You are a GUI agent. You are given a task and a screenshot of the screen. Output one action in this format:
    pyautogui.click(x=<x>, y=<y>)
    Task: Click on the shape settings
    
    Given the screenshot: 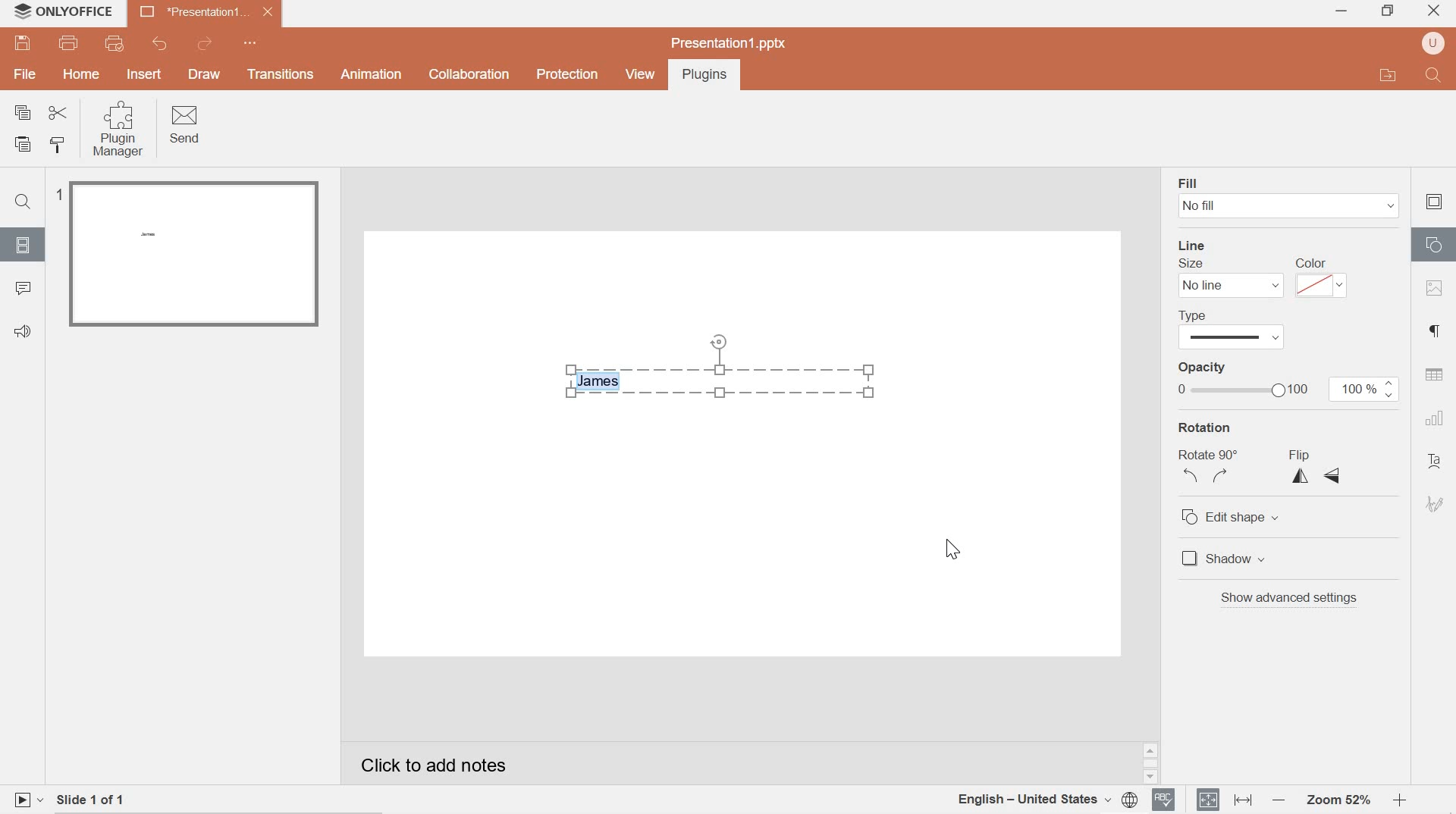 What is the action you would take?
    pyautogui.click(x=1436, y=244)
    